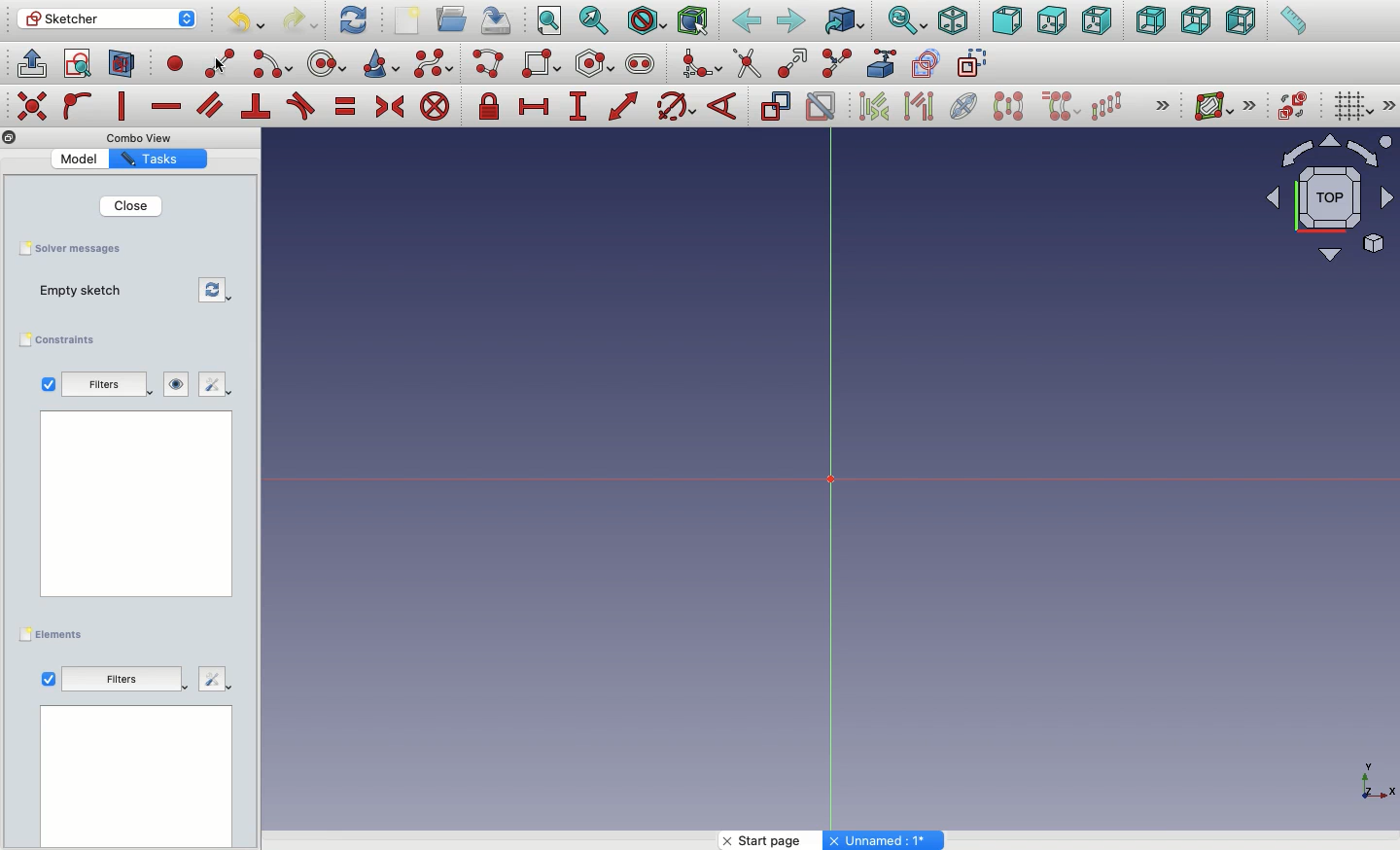  What do you see at coordinates (124, 106) in the screenshot?
I see `Constrain vertically` at bounding box center [124, 106].